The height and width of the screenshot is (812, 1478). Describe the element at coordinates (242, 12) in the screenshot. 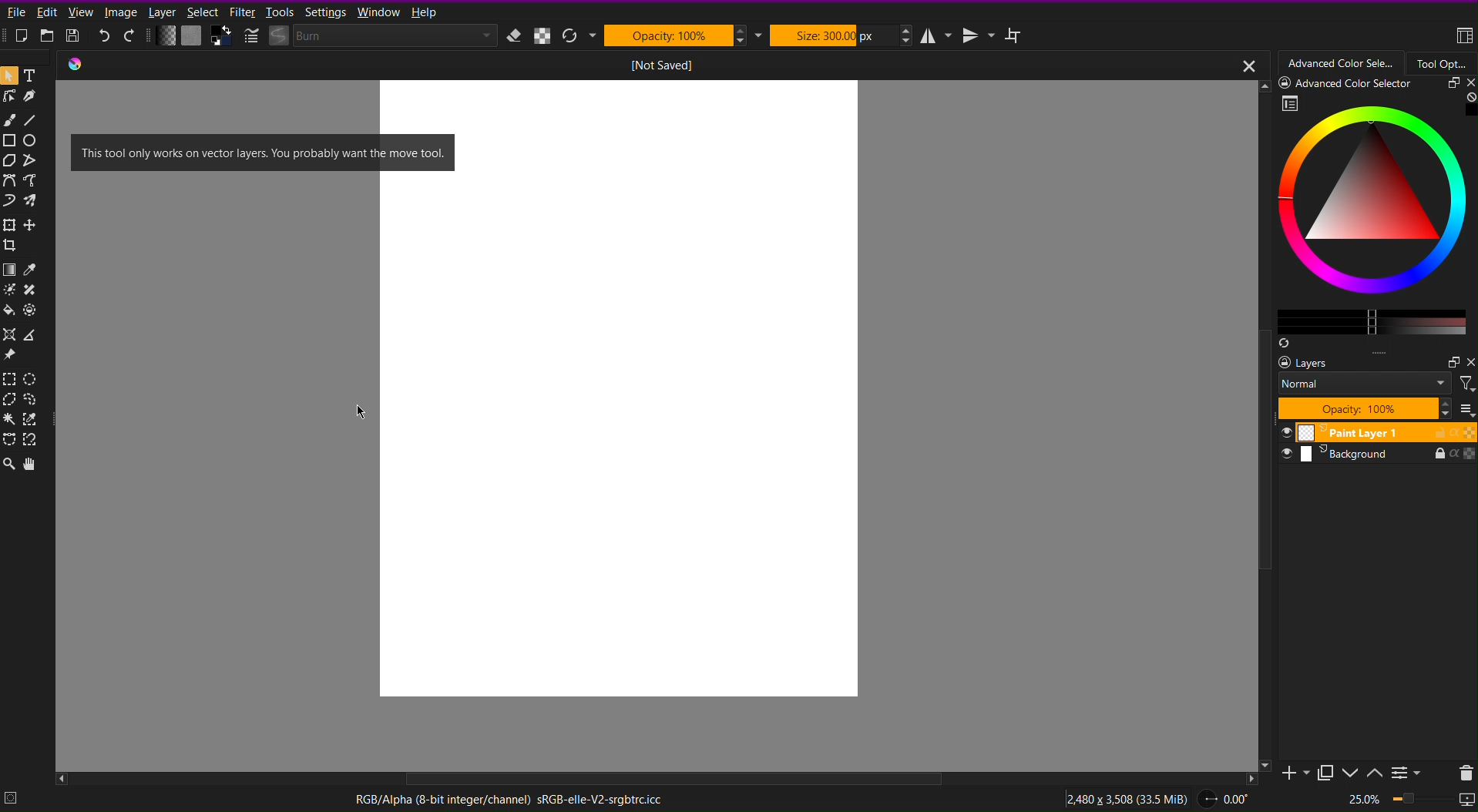

I see `Filter` at that location.